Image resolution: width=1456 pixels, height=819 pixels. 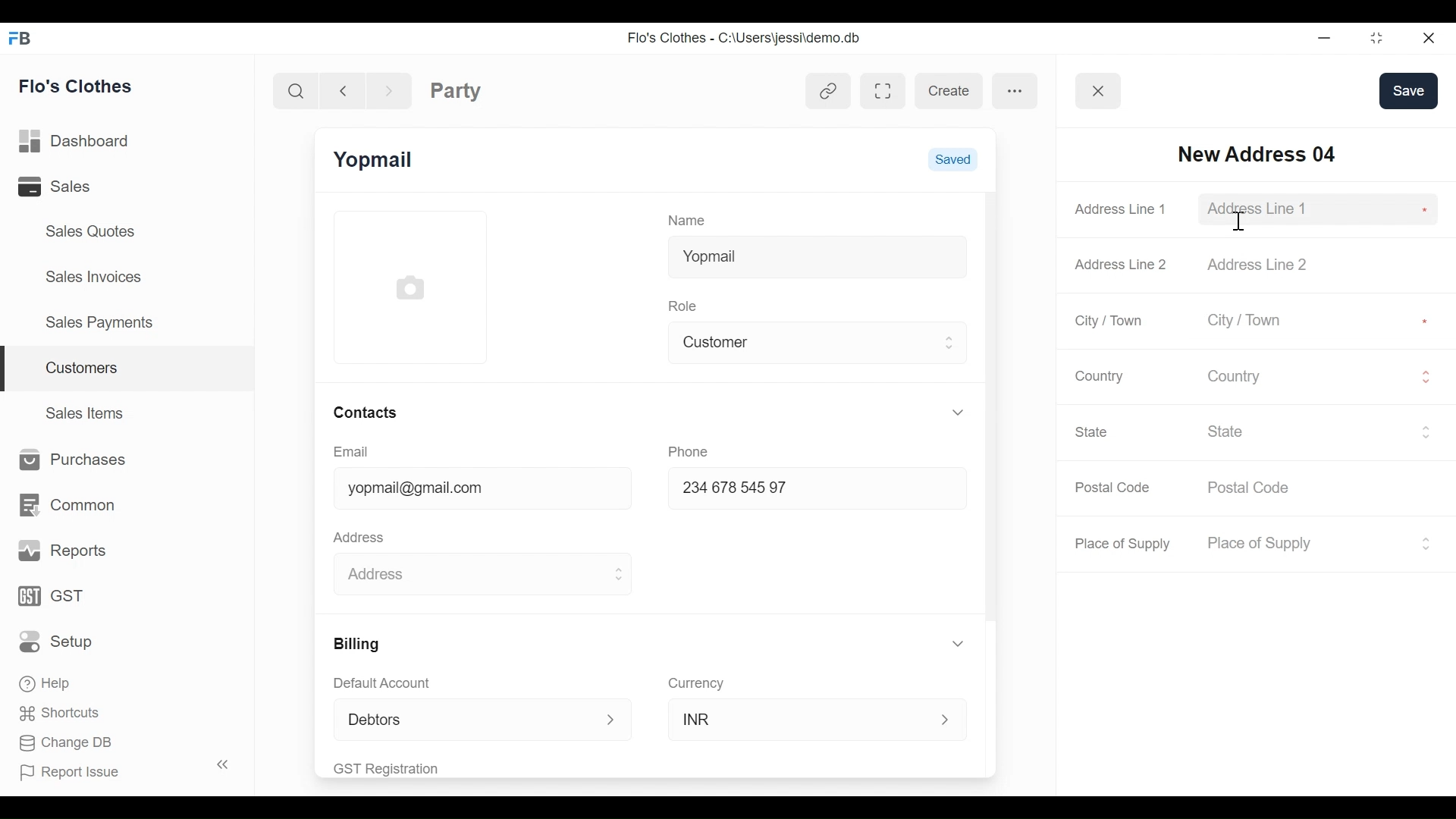 What do you see at coordinates (617, 575) in the screenshot?
I see `Expand` at bounding box center [617, 575].